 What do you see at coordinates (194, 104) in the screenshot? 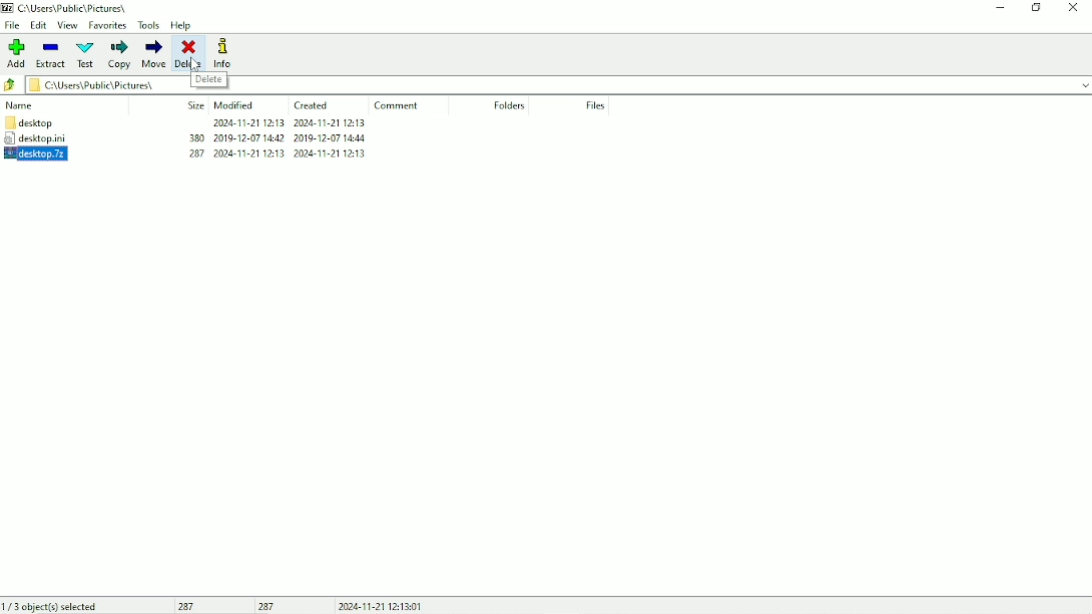
I see `Size` at bounding box center [194, 104].